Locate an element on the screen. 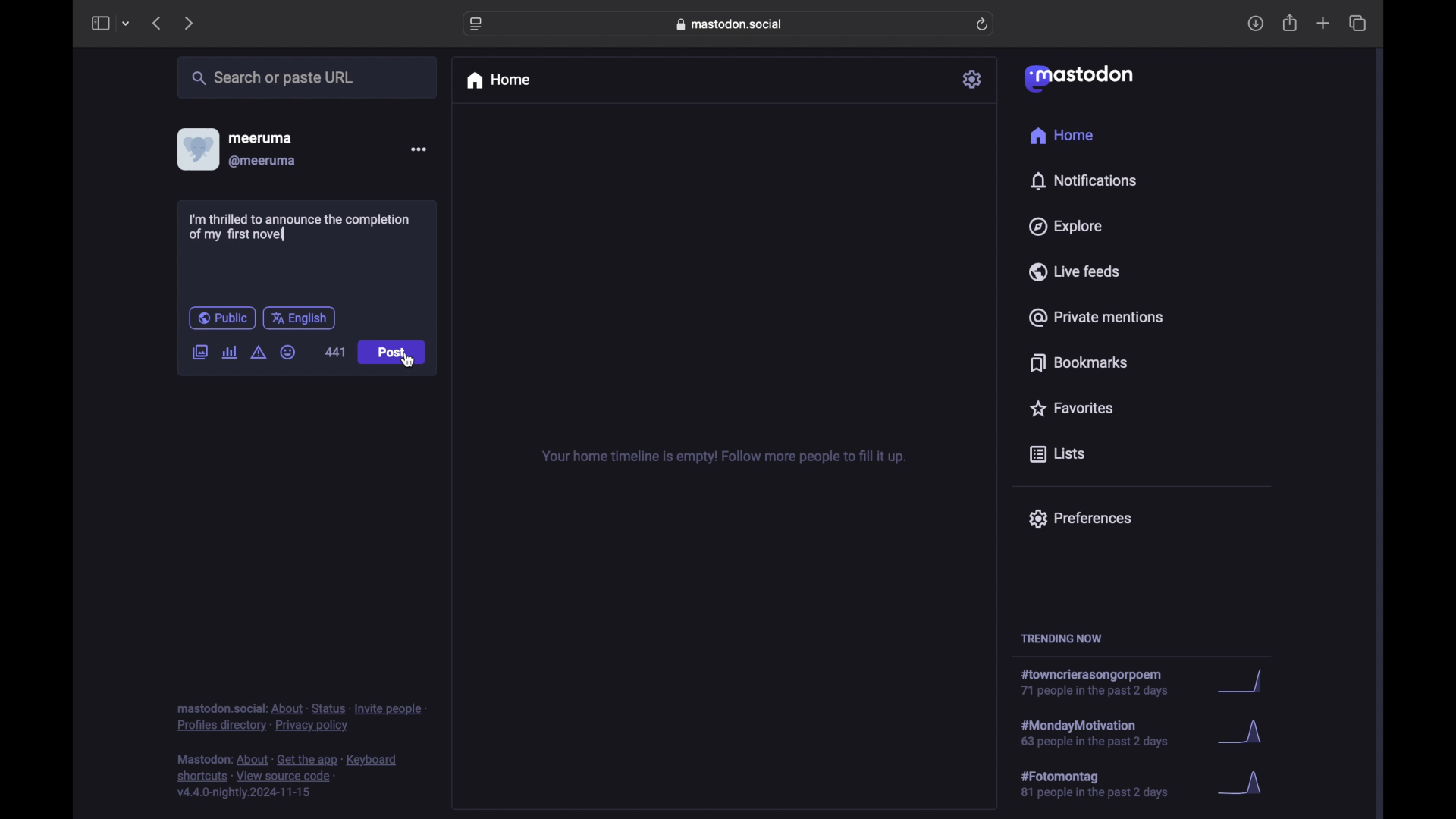 This screenshot has height=819, width=1456. footnote is located at coordinates (287, 777).